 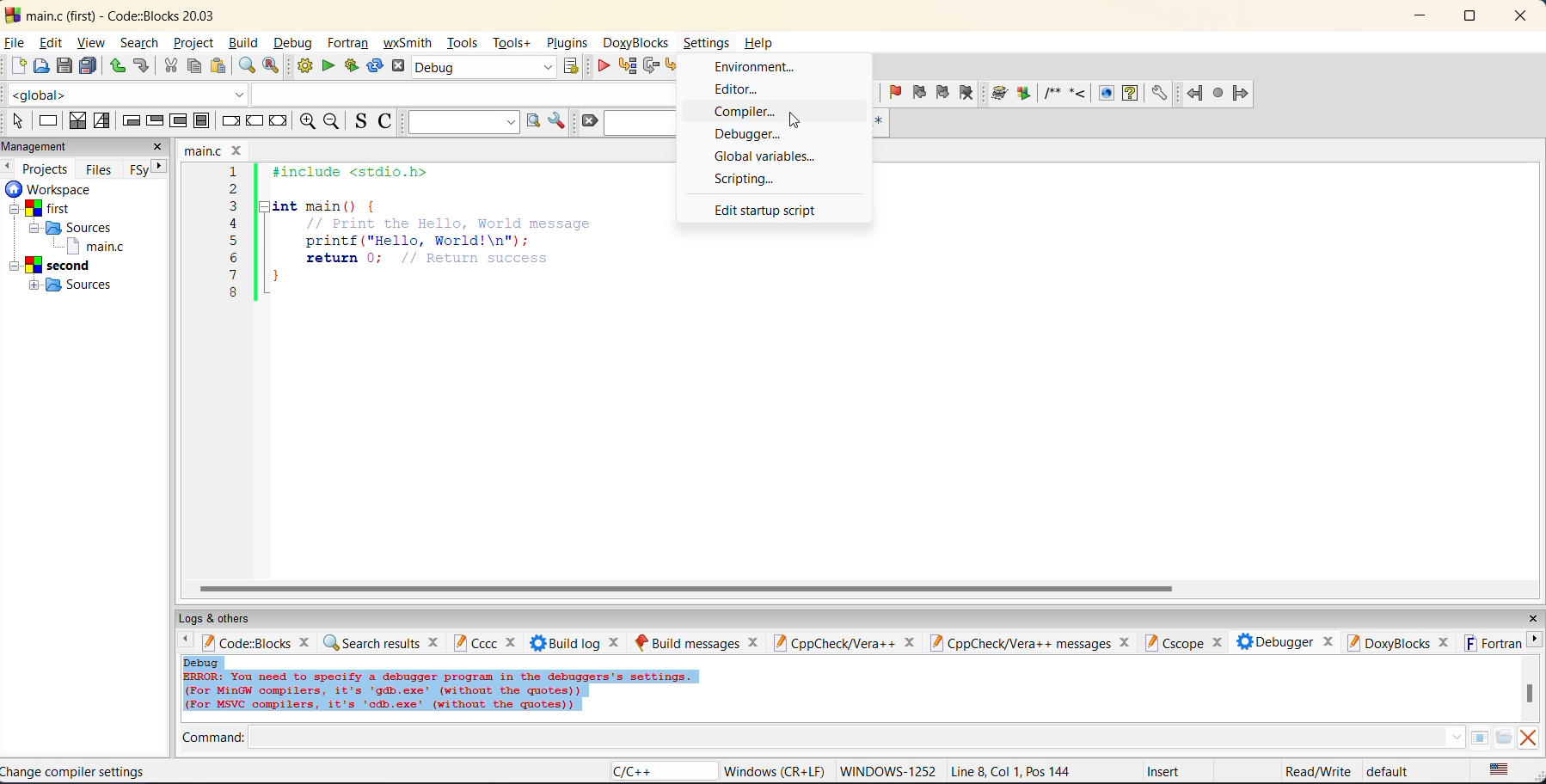 I want to click on cut, so click(x=171, y=66).